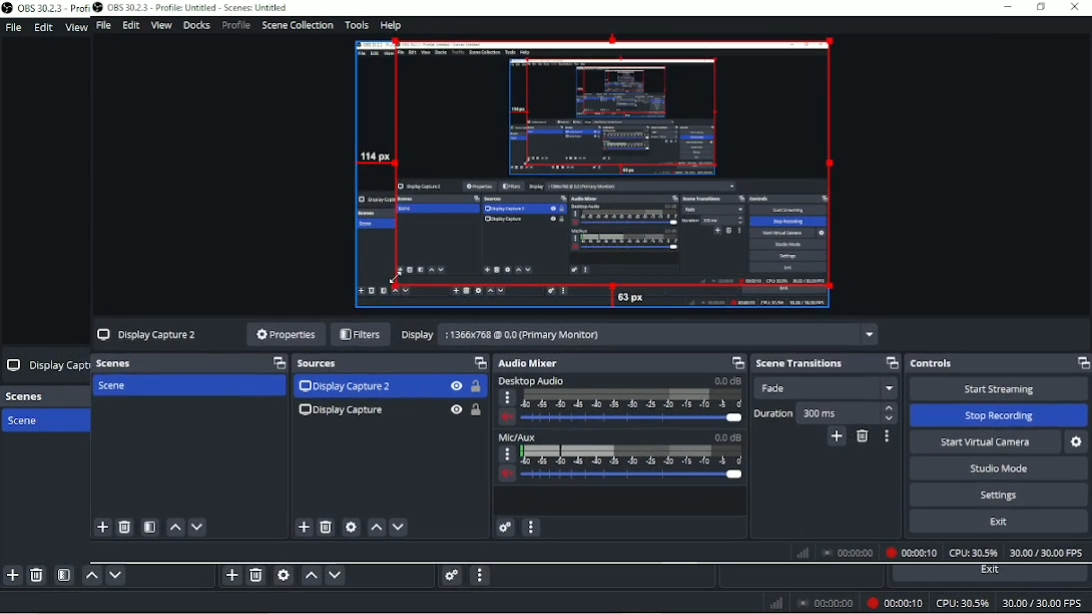 The width and height of the screenshot is (1092, 614). I want to click on Audio mixer menu, so click(483, 576).